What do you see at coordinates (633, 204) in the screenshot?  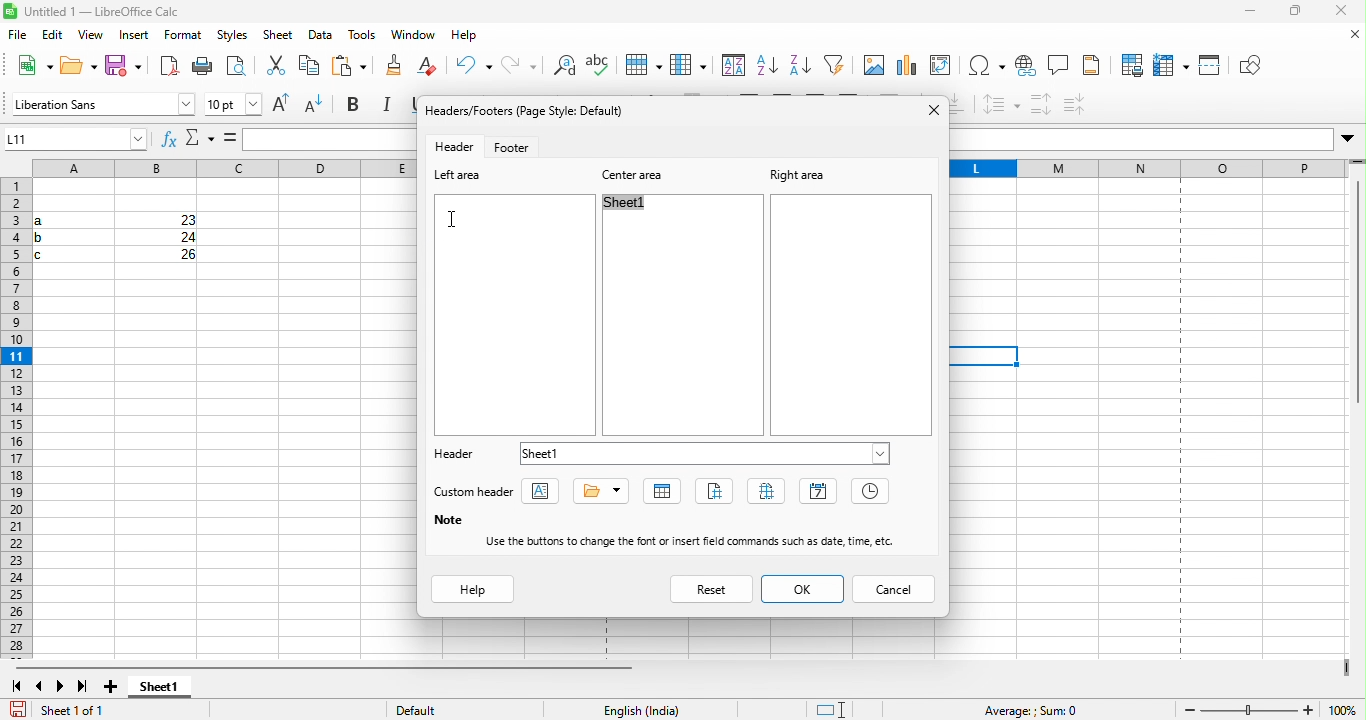 I see `sheet1` at bounding box center [633, 204].